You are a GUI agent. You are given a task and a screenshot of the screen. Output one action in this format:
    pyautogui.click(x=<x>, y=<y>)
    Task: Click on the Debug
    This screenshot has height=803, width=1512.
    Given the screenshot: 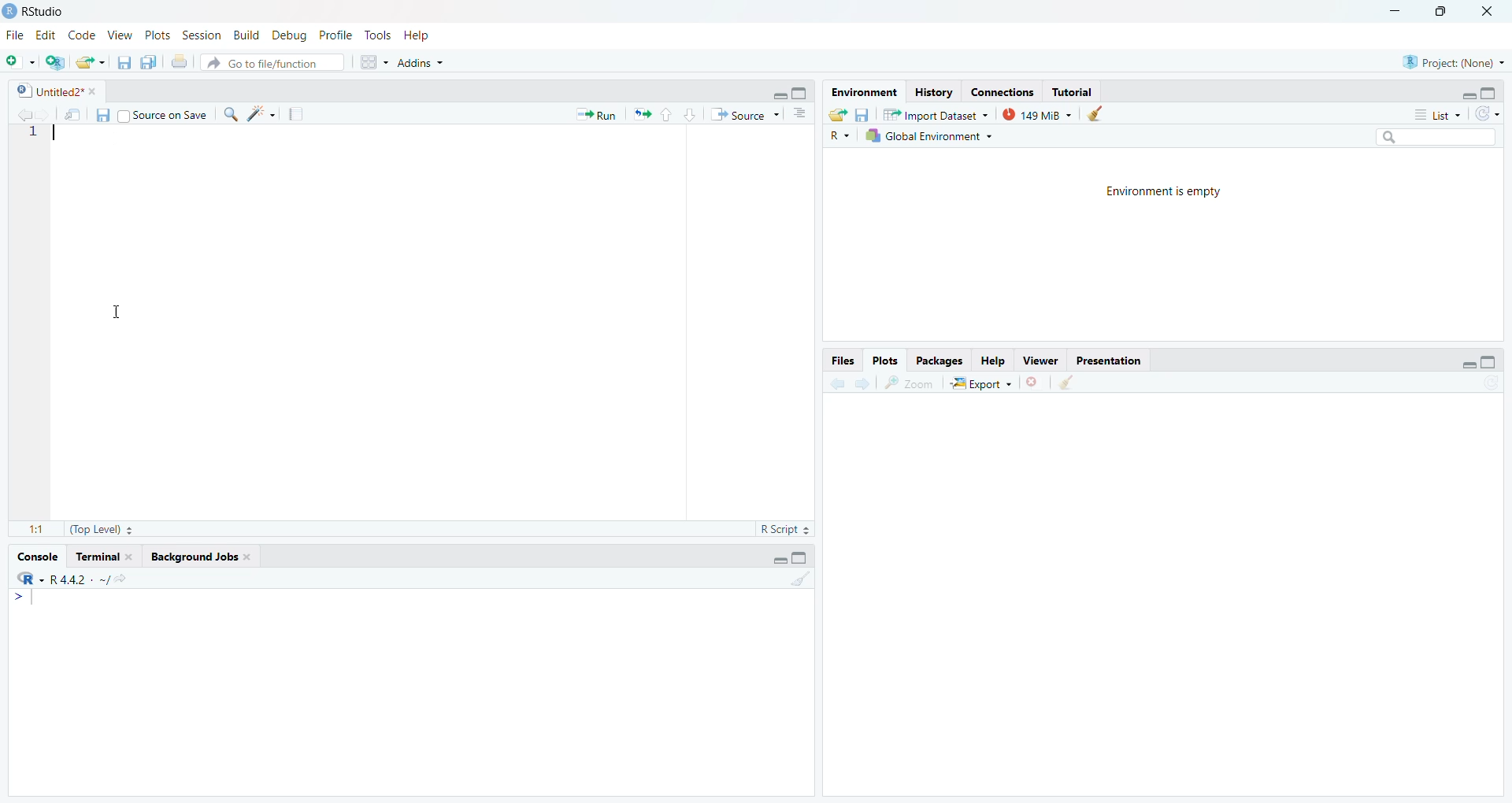 What is the action you would take?
    pyautogui.click(x=287, y=37)
    